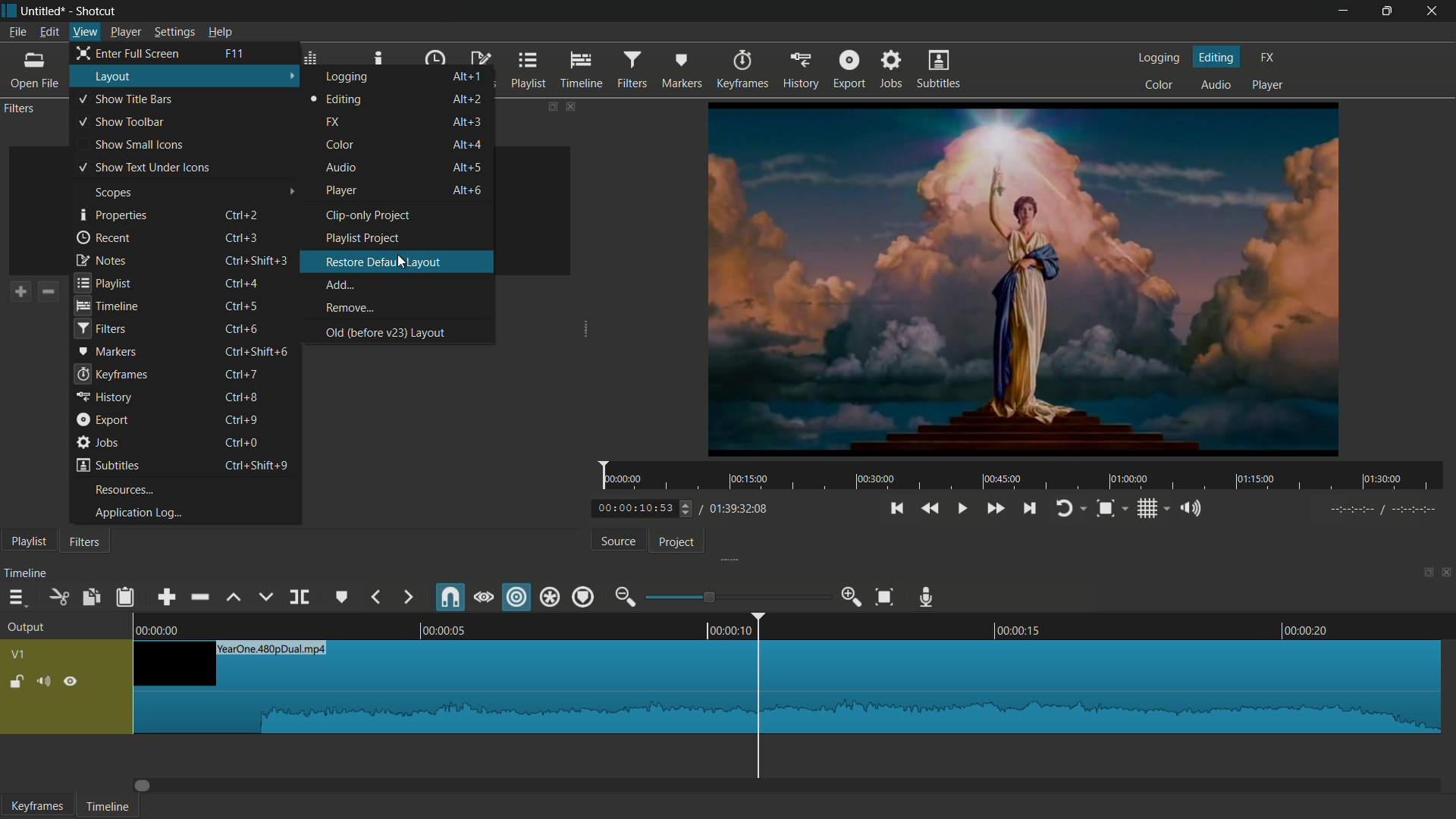  What do you see at coordinates (243, 328) in the screenshot?
I see `keyboard shortcut` at bounding box center [243, 328].